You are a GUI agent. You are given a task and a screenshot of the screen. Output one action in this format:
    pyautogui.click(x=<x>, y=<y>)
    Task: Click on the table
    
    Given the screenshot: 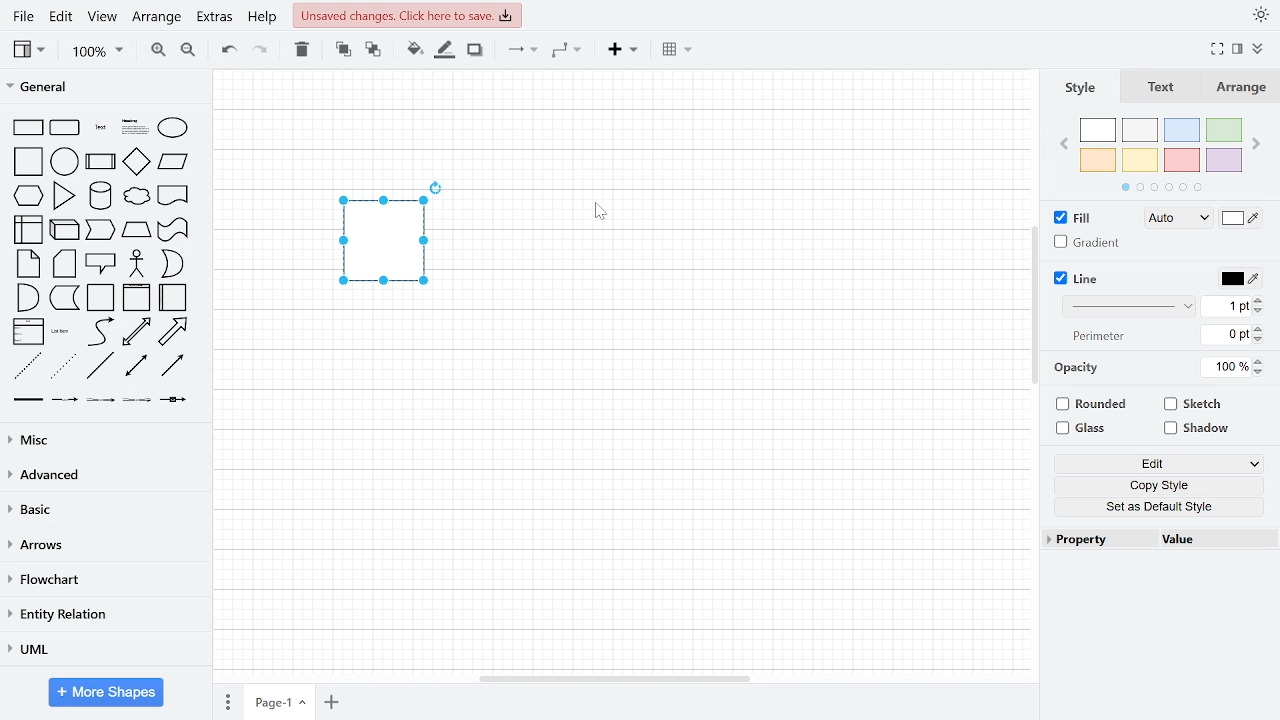 What is the action you would take?
    pyautogui.click(x=676, y=52)
    